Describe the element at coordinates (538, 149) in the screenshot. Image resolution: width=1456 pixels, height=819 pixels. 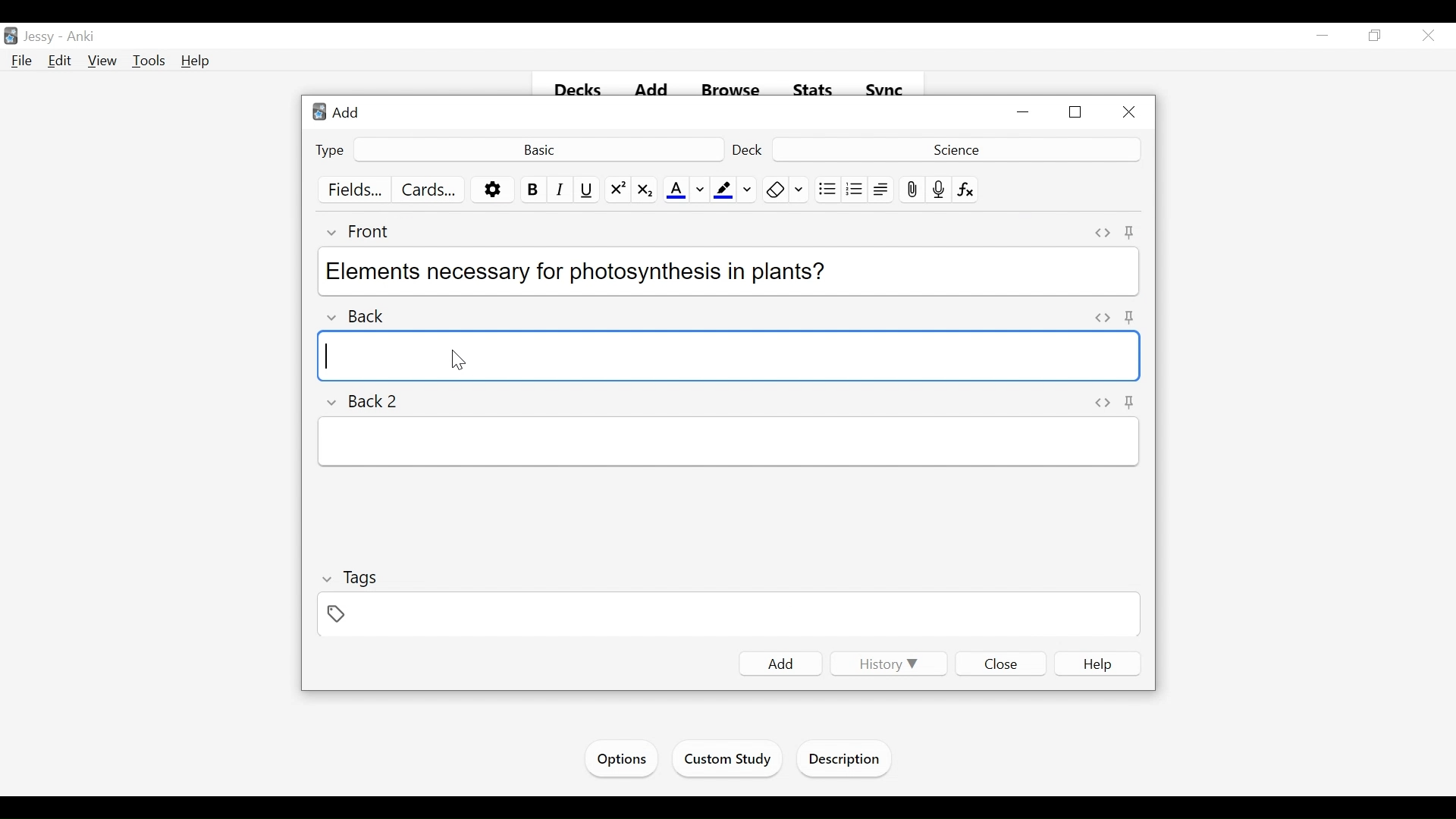
I see `Basic` at that location.